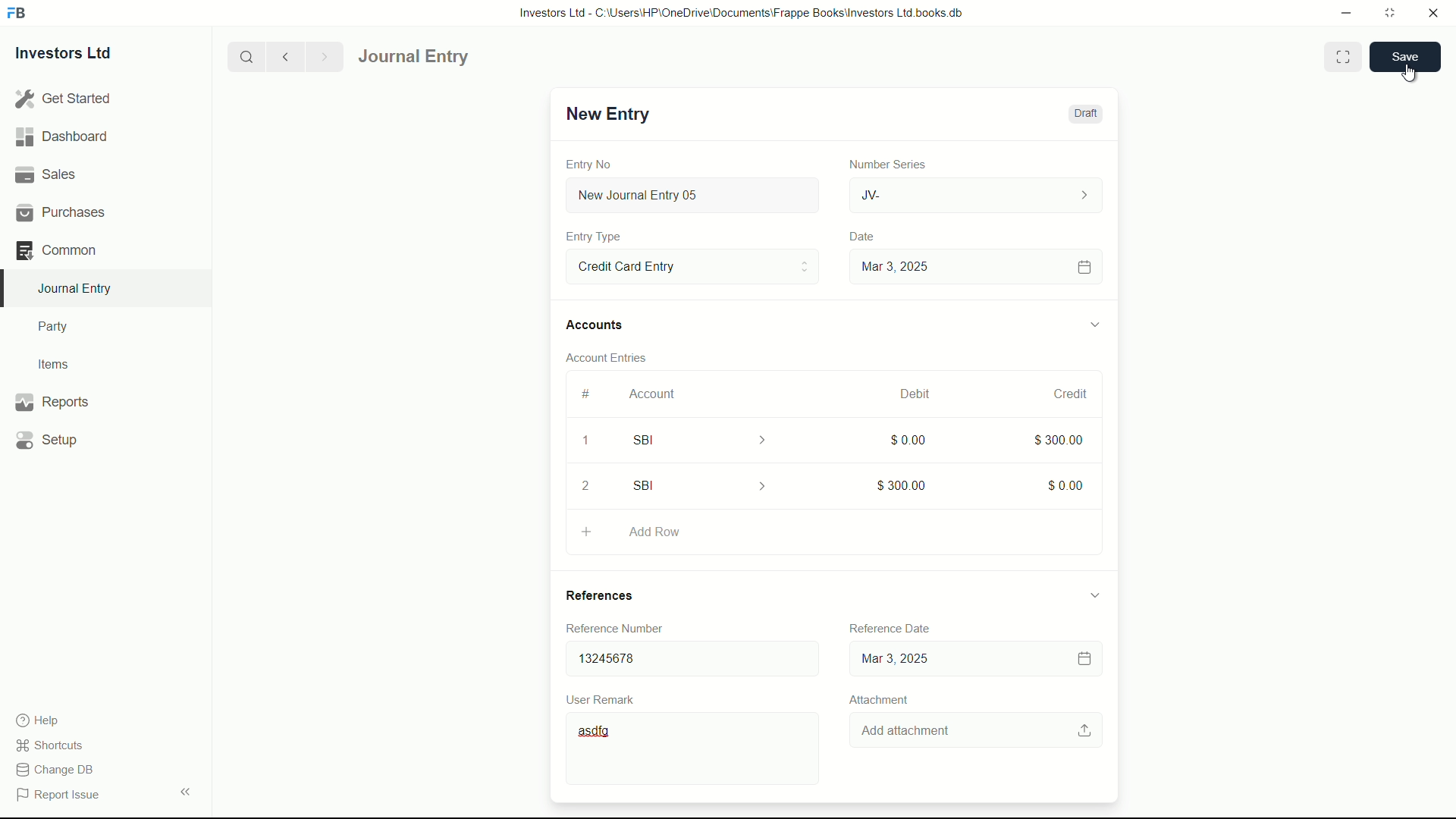 The width and height of the screenshot is (1456, 819). What do you see at coordinates (1389, 11) in the screenshot?
I see `maximize` at bounding box center [1389, 11].